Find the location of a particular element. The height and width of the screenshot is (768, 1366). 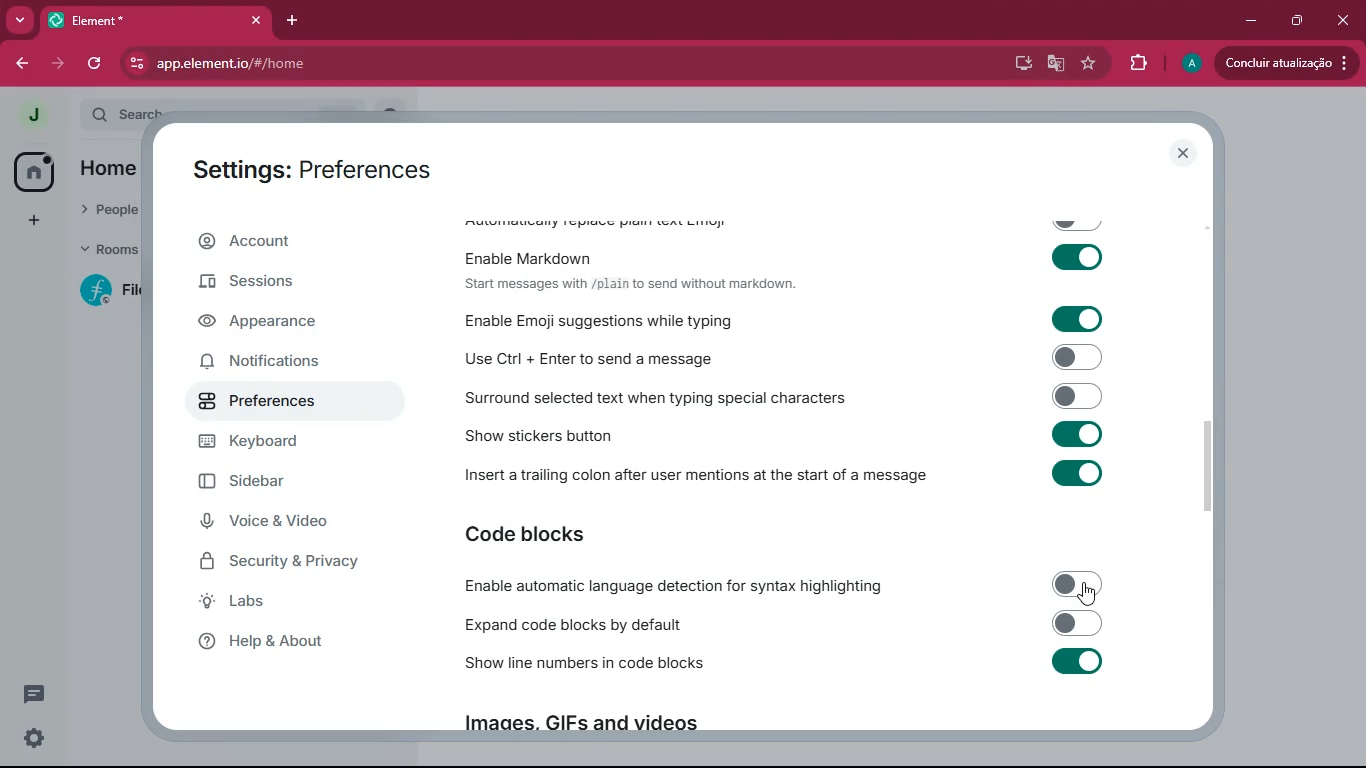

voice & video is located at coordinates (285, 522).